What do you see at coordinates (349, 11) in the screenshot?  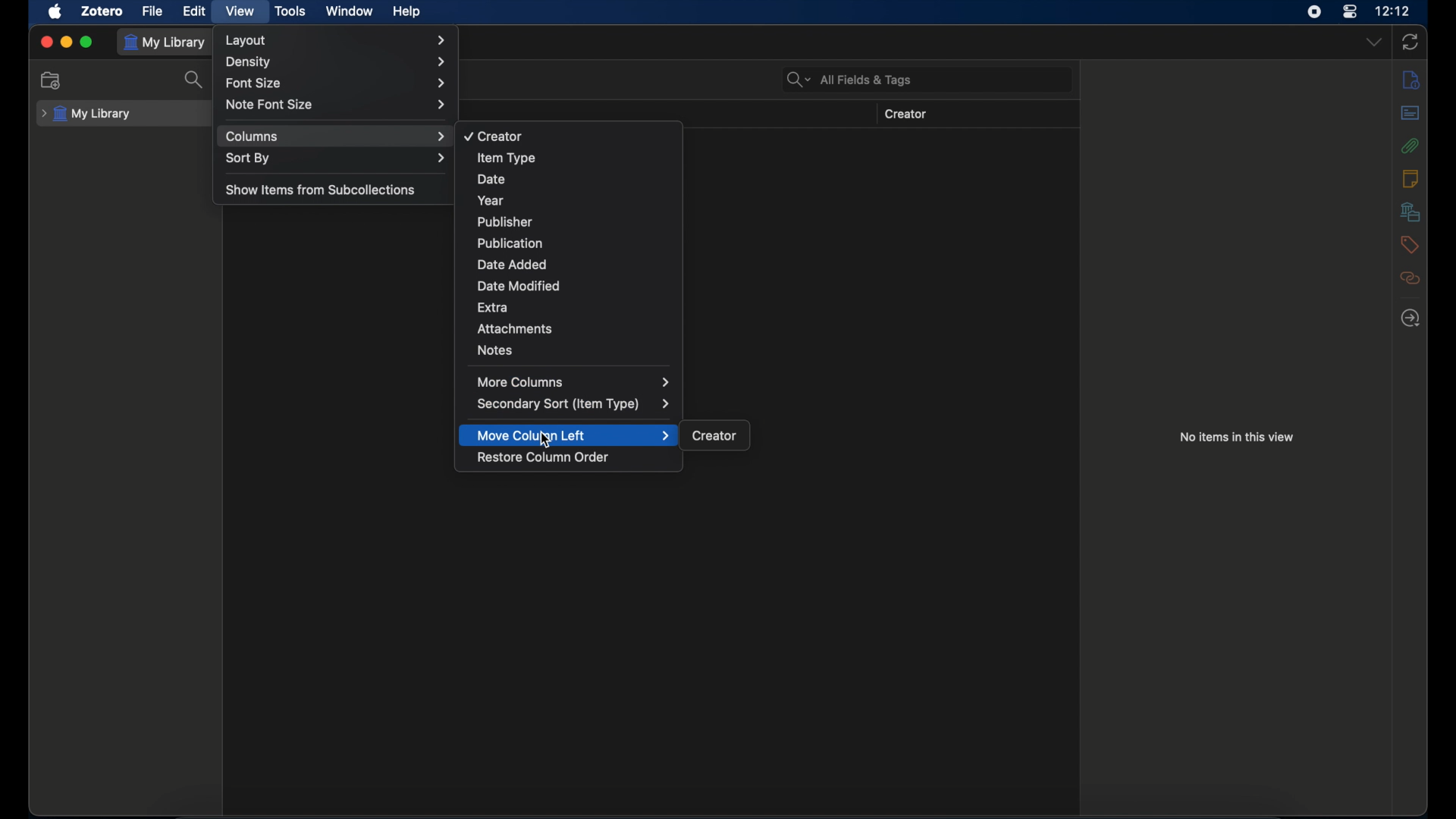 I see `window` at bounding box center [349, 11].